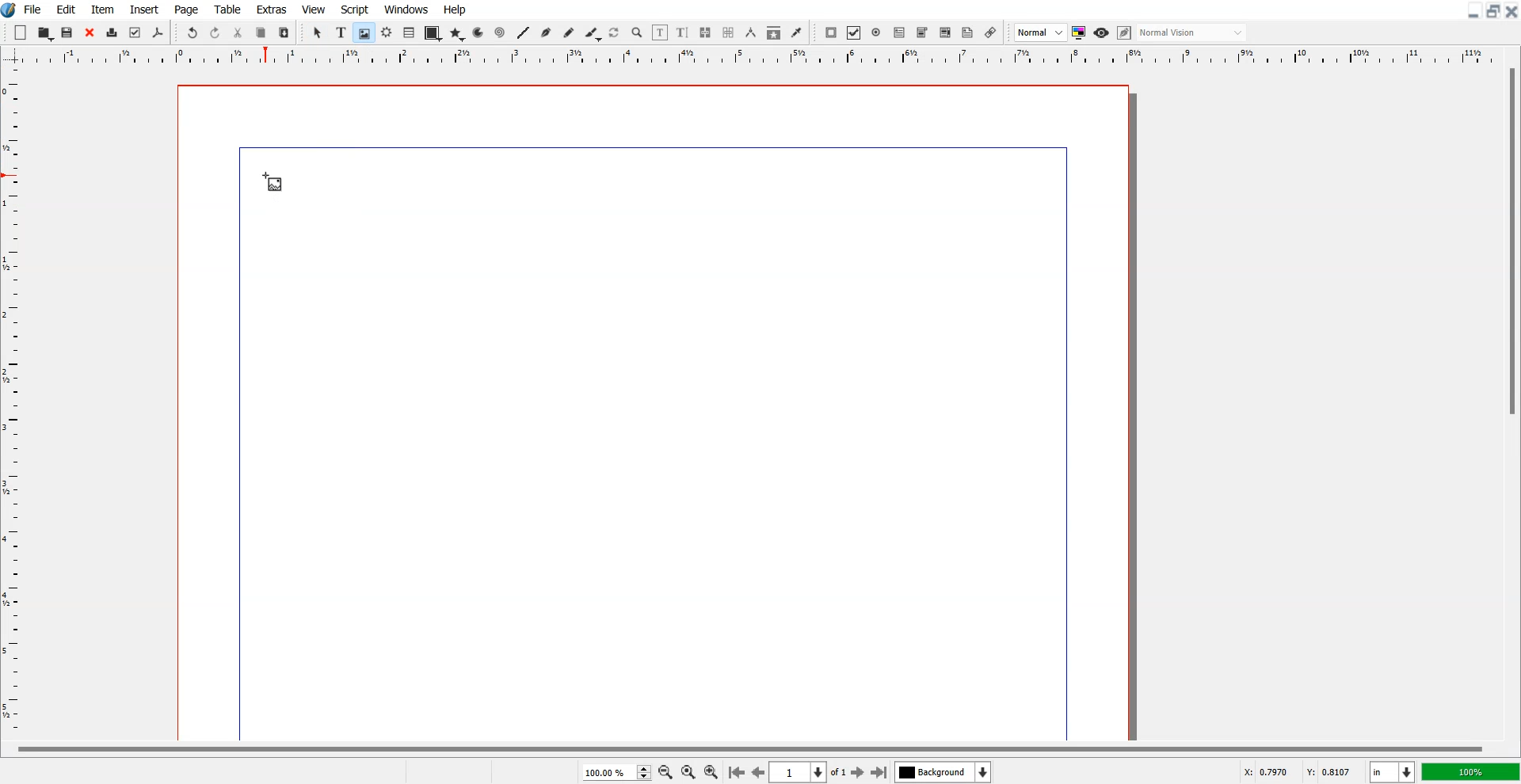 This screenshot has height=784, width=1521. What do you see at coordinates (10, 10) in the screenshot?
I see `Logo` at bounding box center [10, 10].